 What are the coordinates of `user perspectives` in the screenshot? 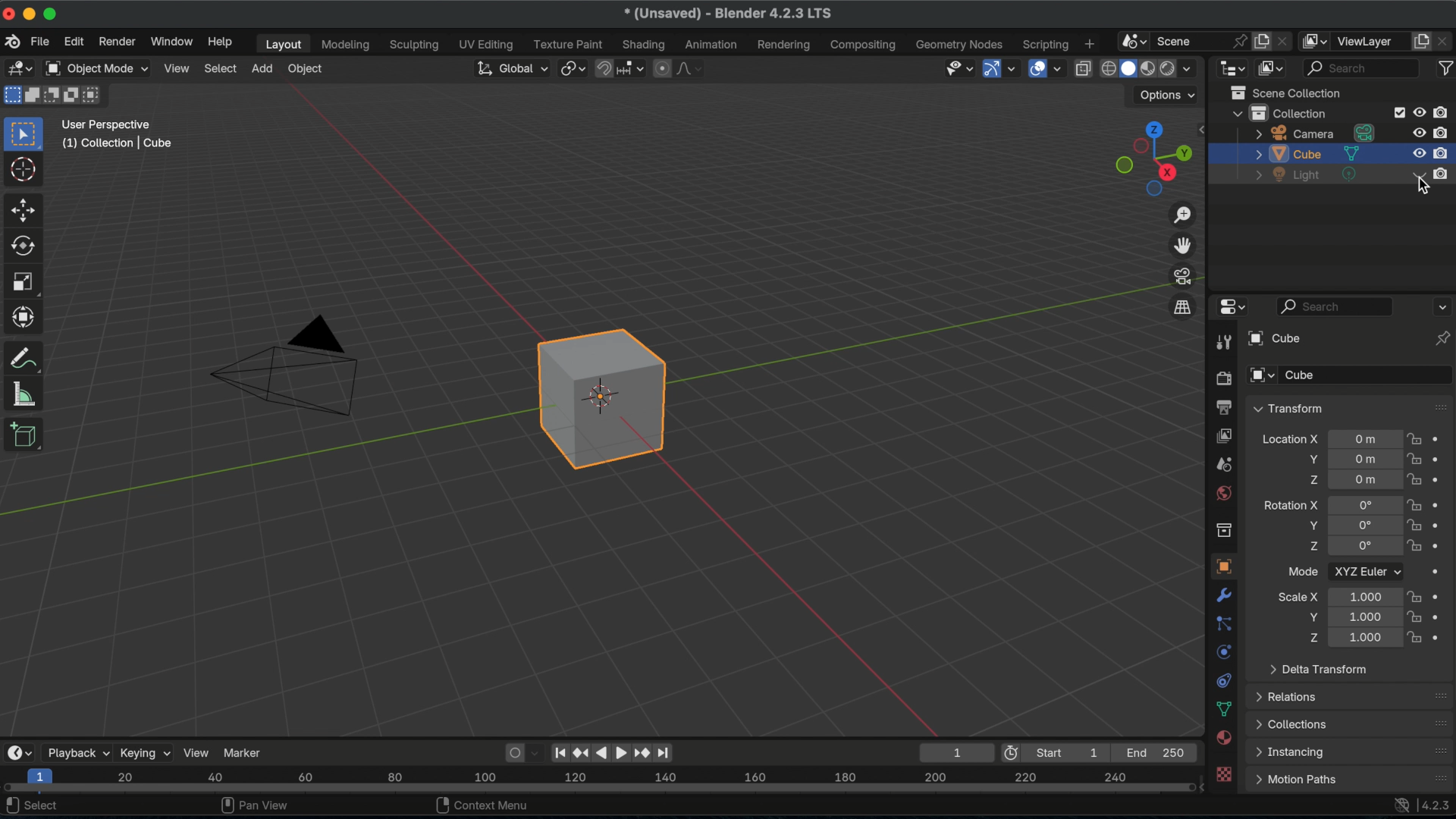 It's located at (107, 123).